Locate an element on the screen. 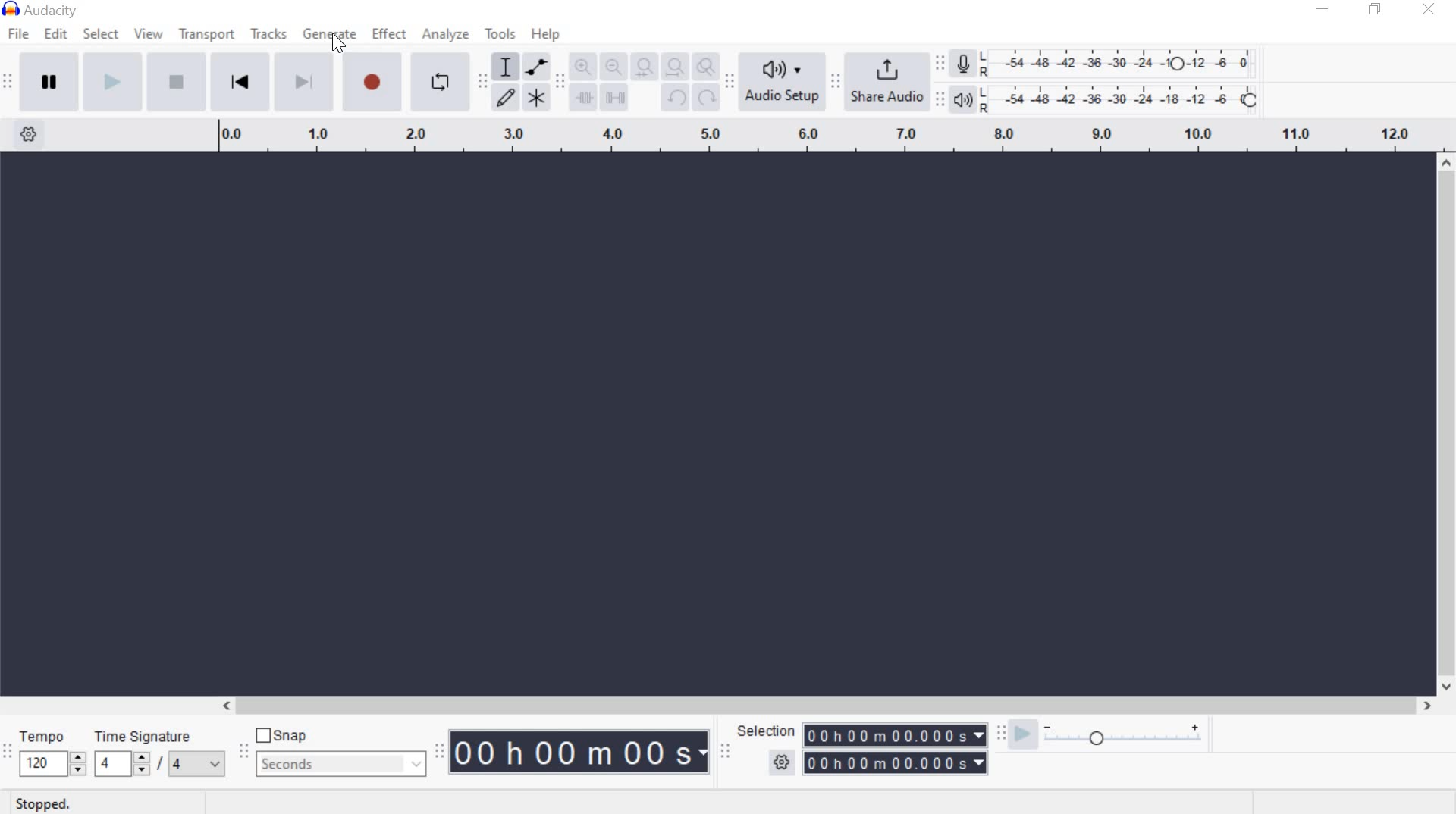 This screenshot has width=1456, height=814. seconds is located at coordinates (342, 765).